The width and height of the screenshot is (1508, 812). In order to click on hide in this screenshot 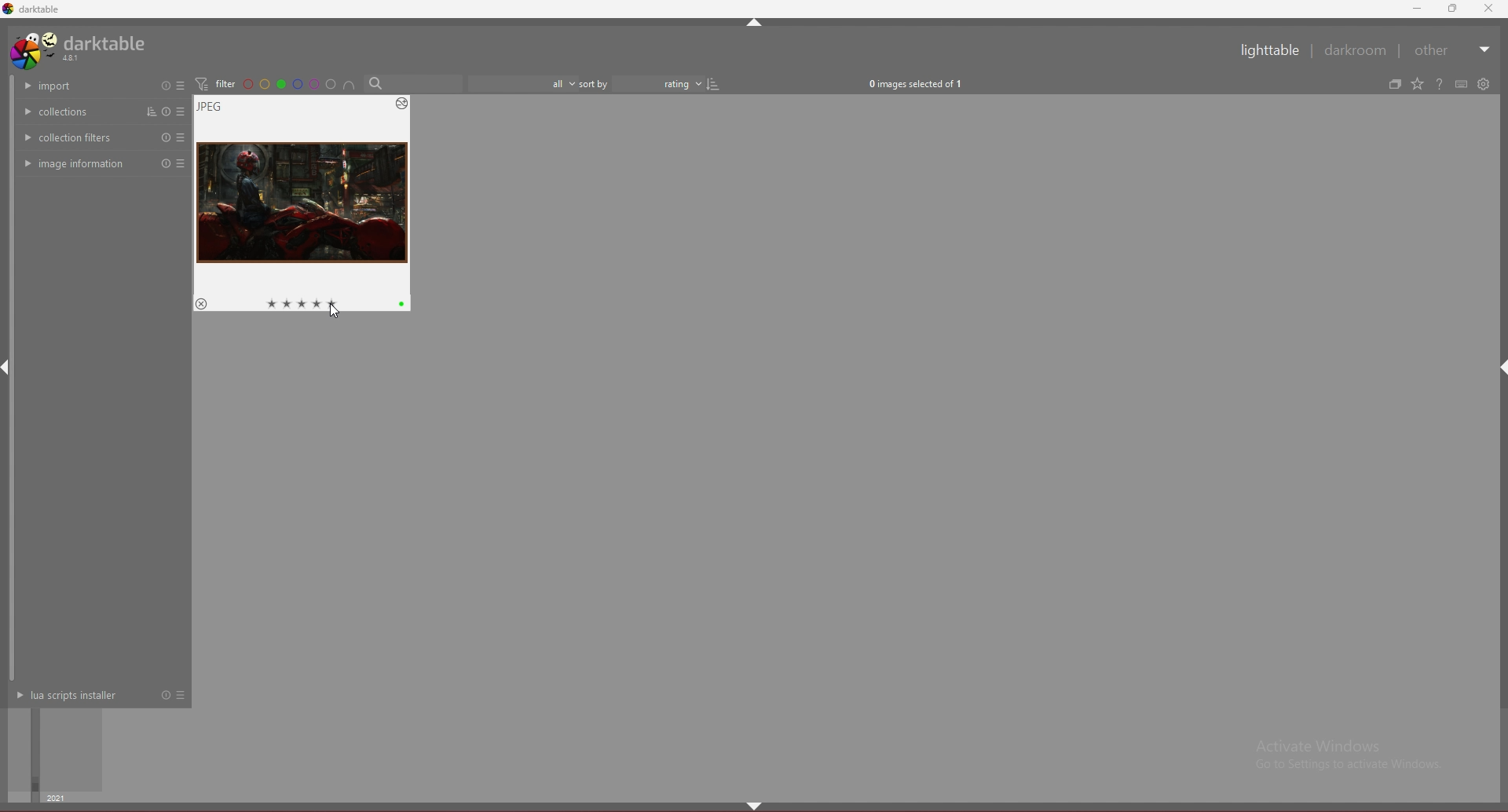, I will do `click(756, 801)`.